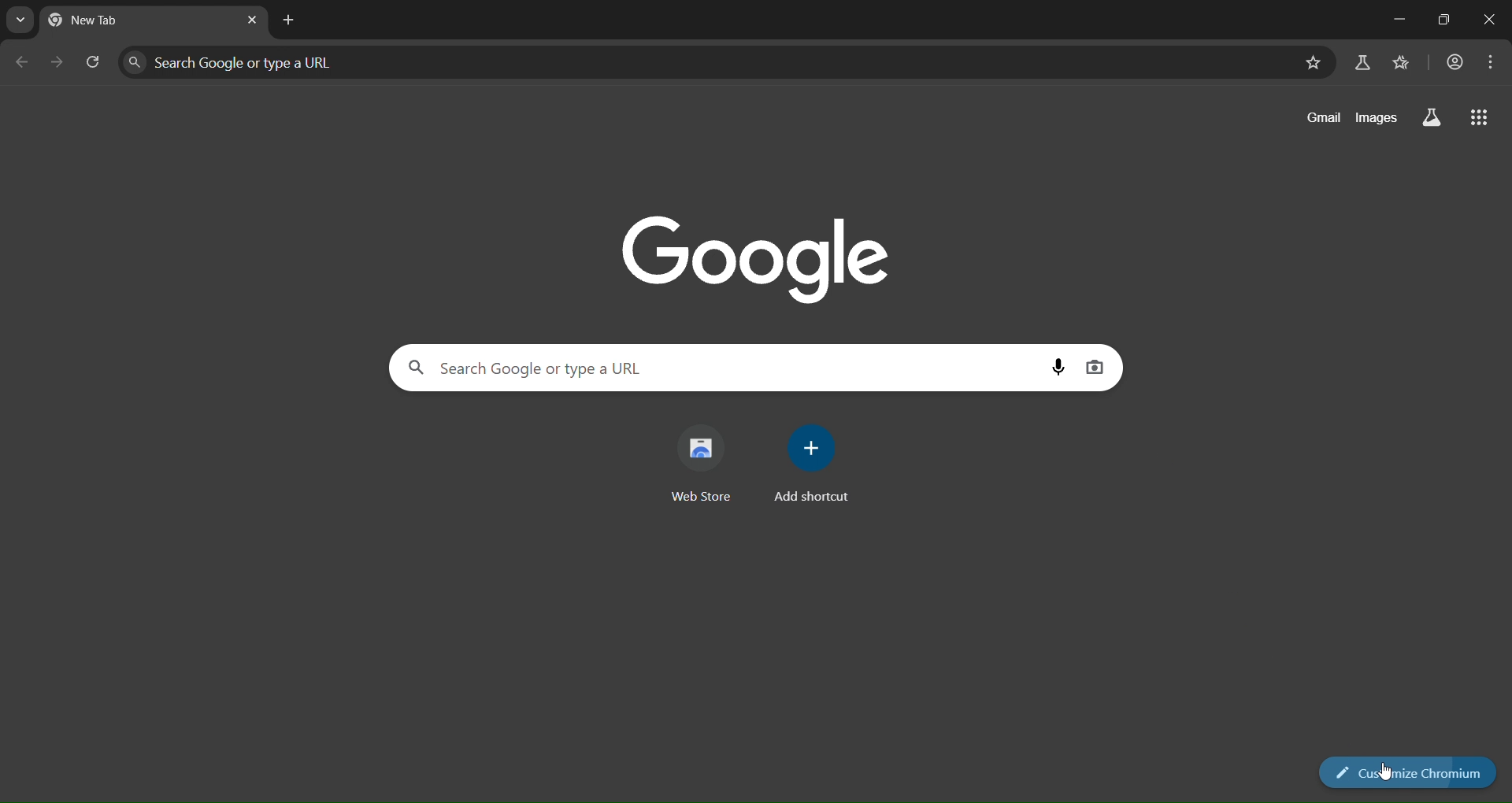 The height and width of the screenshot is (803, 1512). I want to click on go back one page, so click(24, 65).